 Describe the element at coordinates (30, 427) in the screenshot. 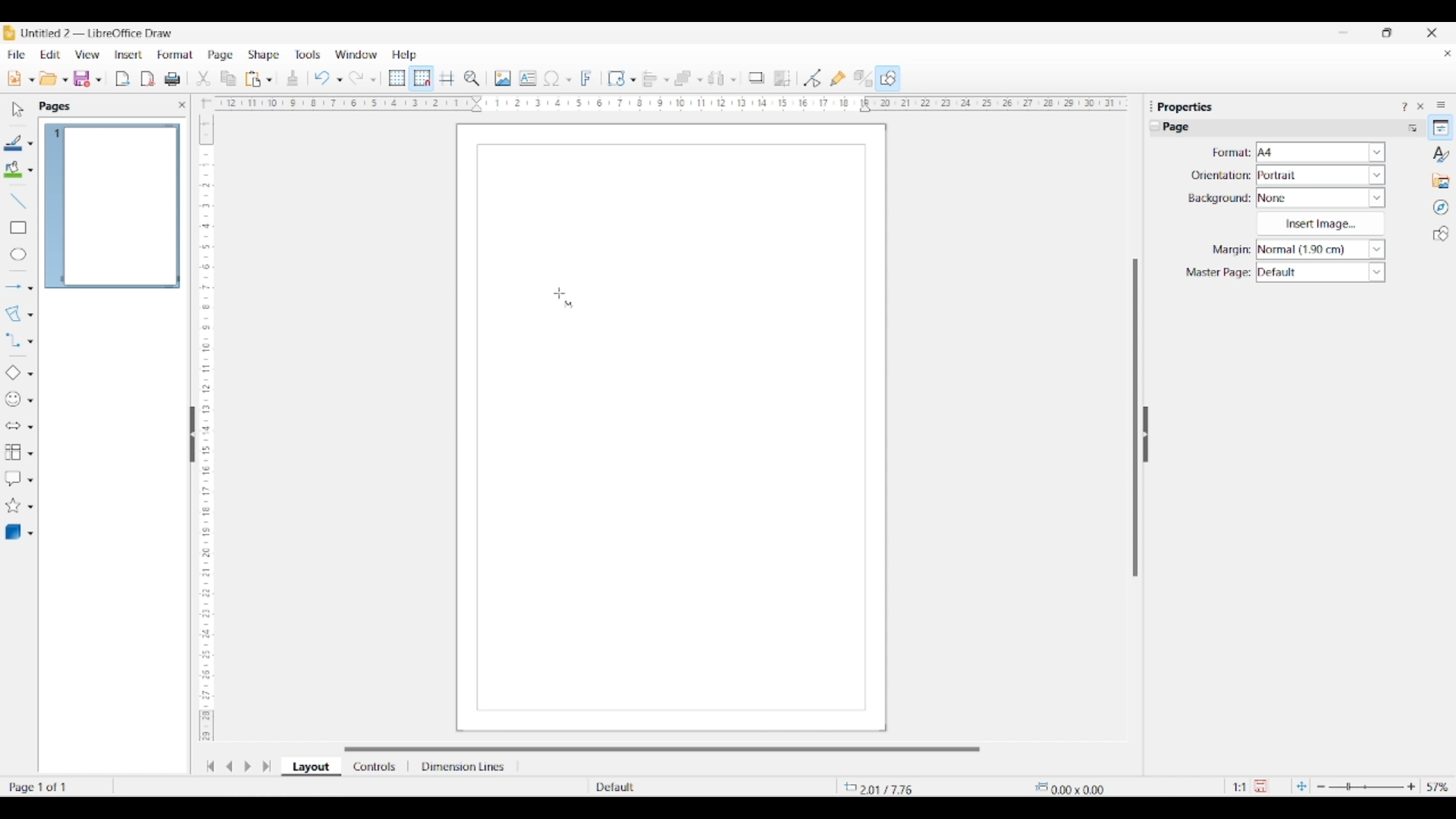

I see `Block arrow options` at that location.